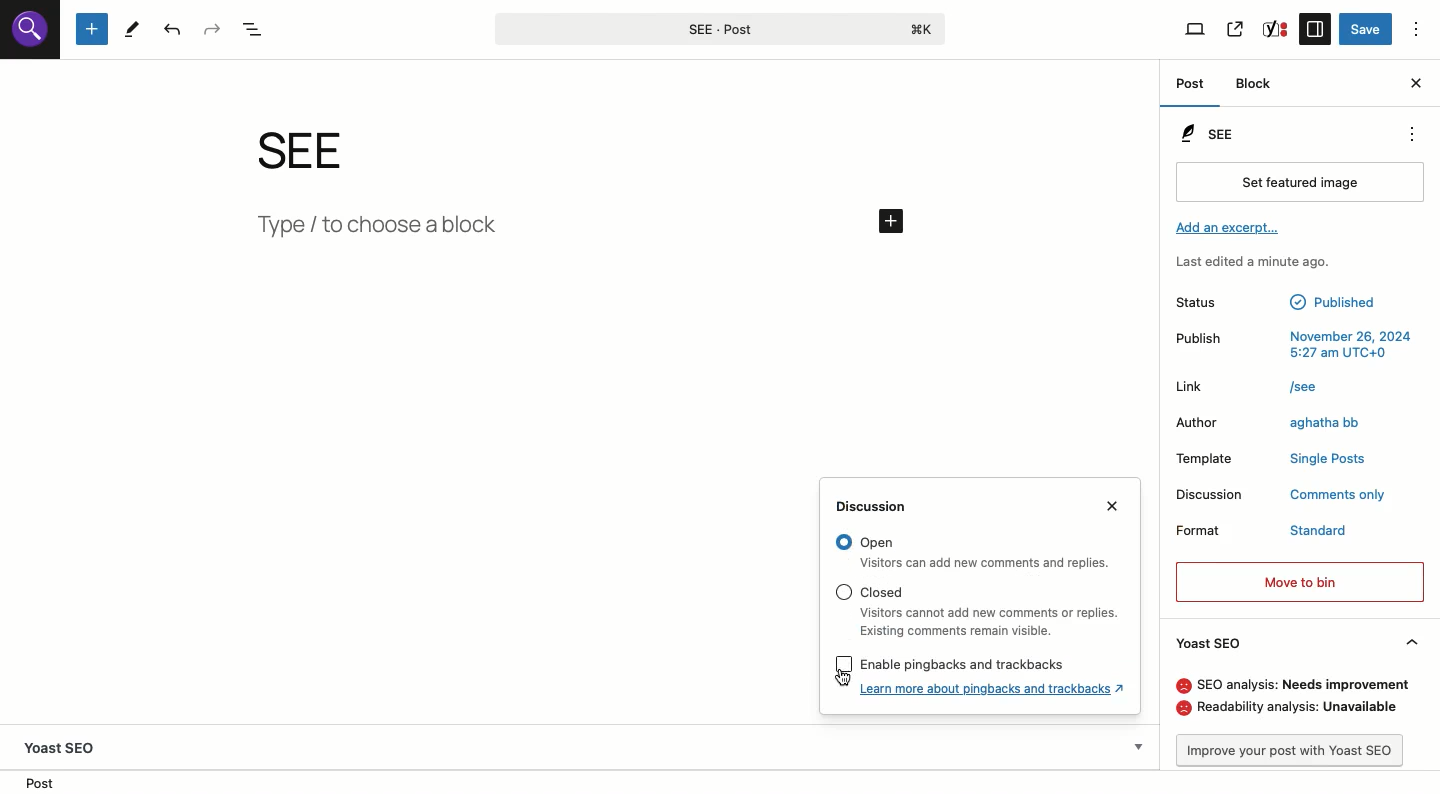 This screenshot has height=794, width=1440. What do you see at coordinates (1137, 743) in the screenshot?
I see `Show` at bounding box center [1137, 743].